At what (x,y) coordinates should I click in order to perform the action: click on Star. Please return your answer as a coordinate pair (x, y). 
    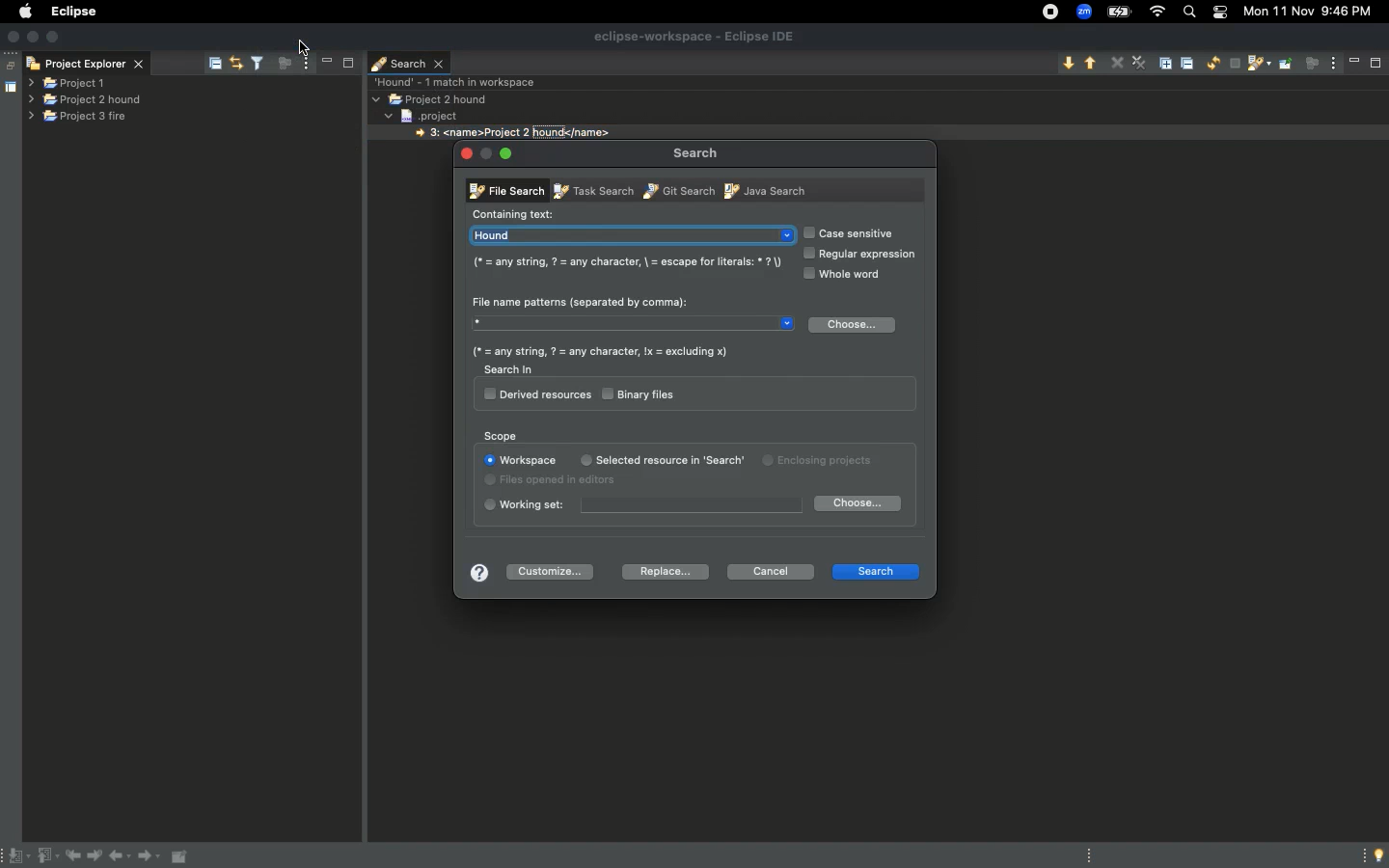
    Looking at the image, I should click on (636, 326).